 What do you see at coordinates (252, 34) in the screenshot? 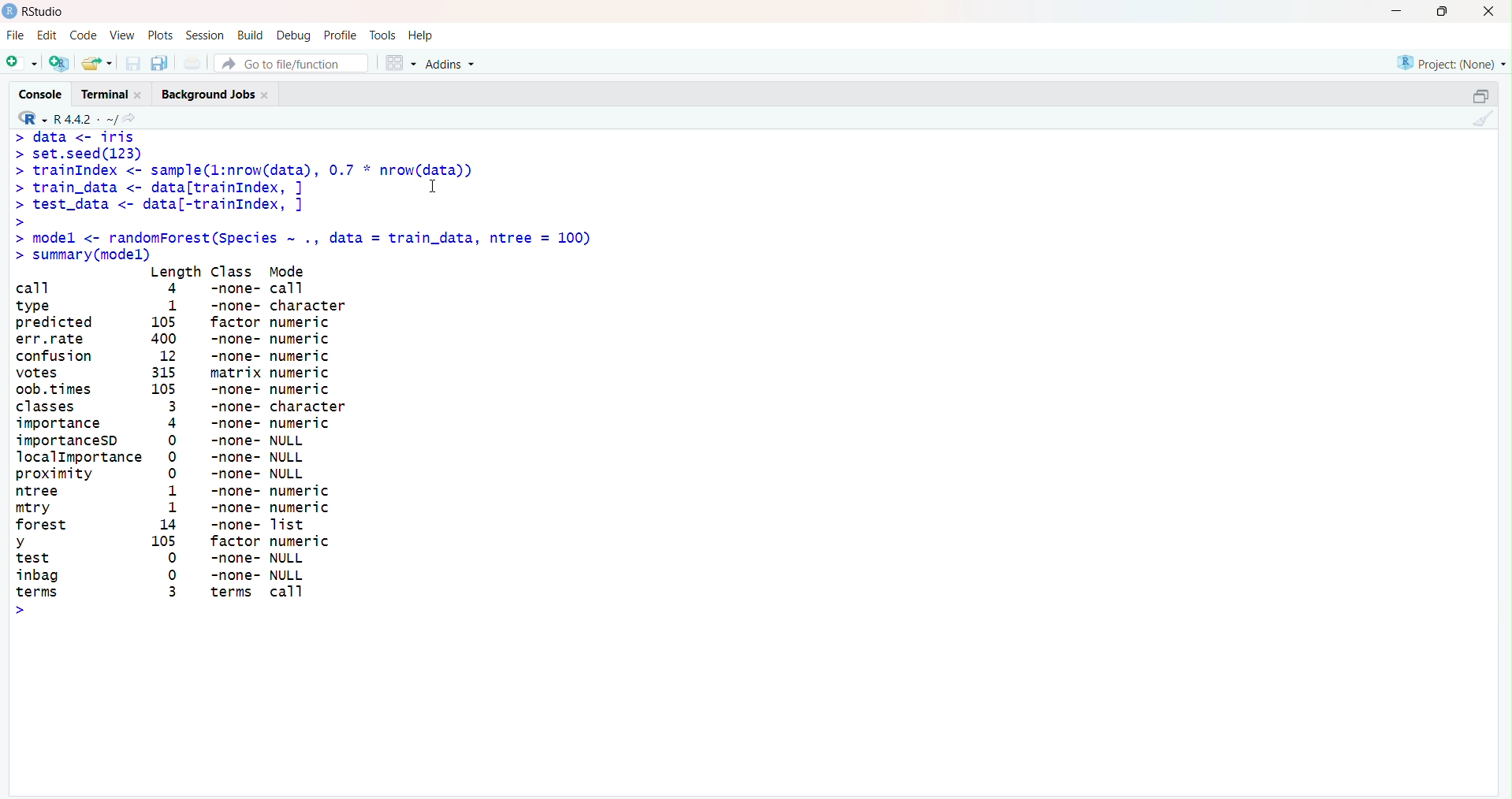
I see `Build` at bounding box center [252, 34].